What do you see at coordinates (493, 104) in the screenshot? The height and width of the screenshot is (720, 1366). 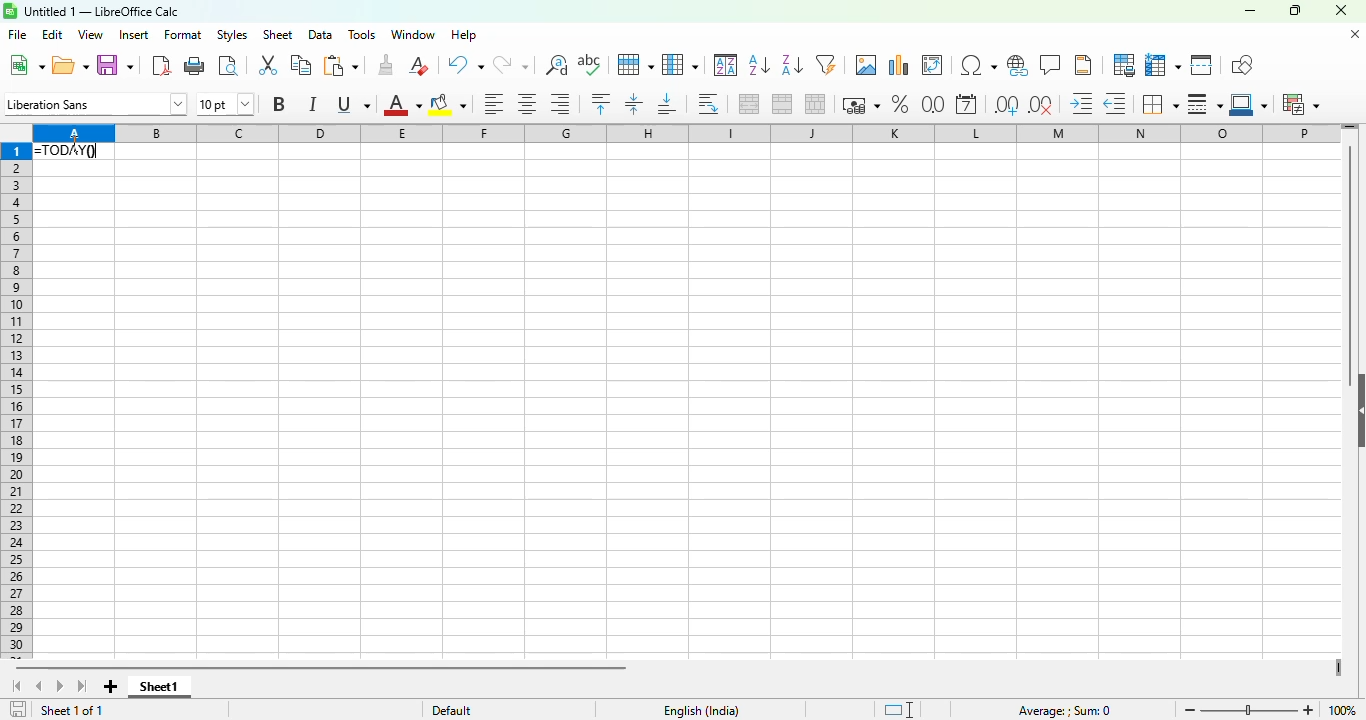 I see `align left` at bounding box center [493, 104].